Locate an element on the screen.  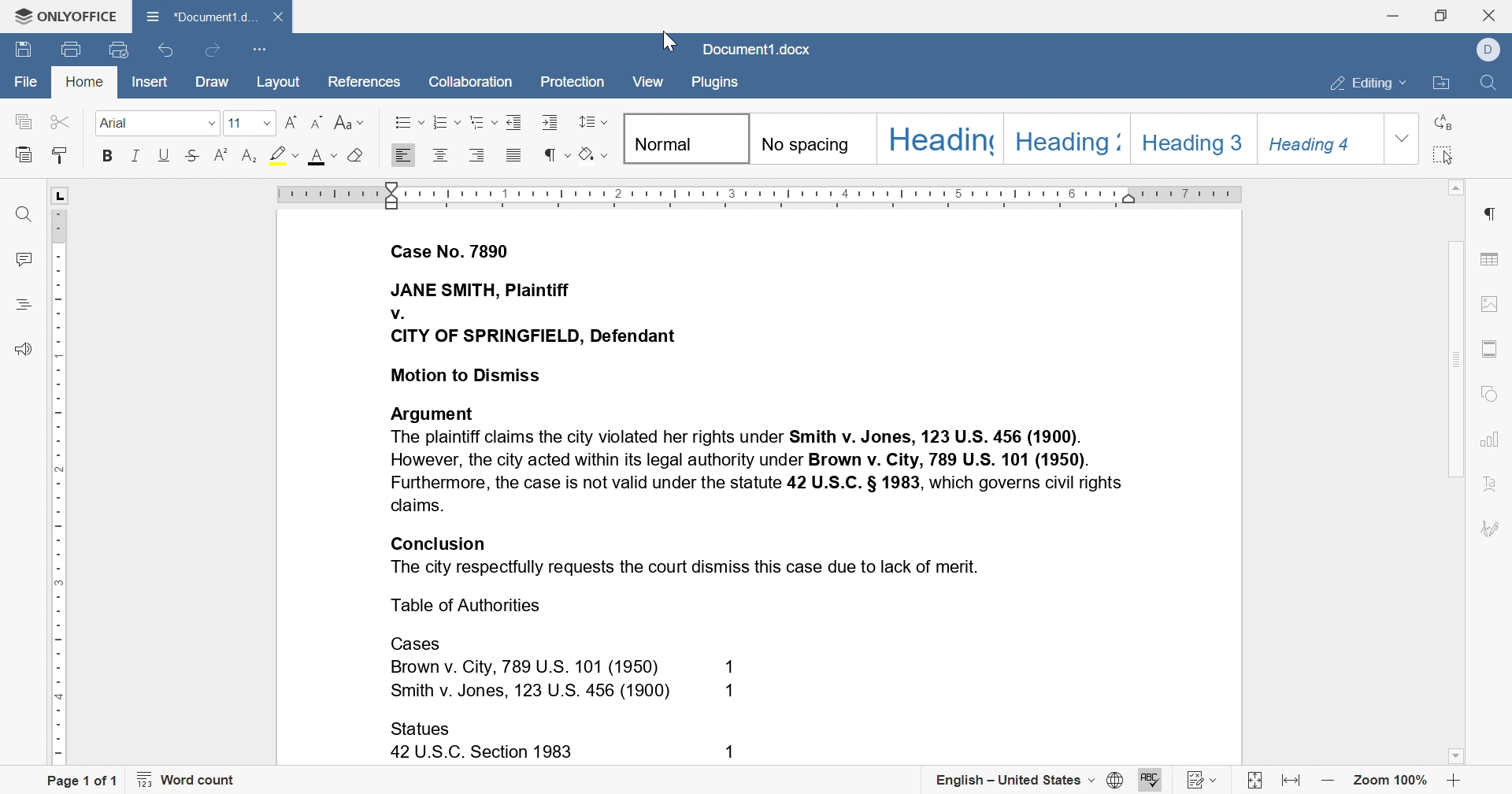
bullets is located at coordinates (405, 121).